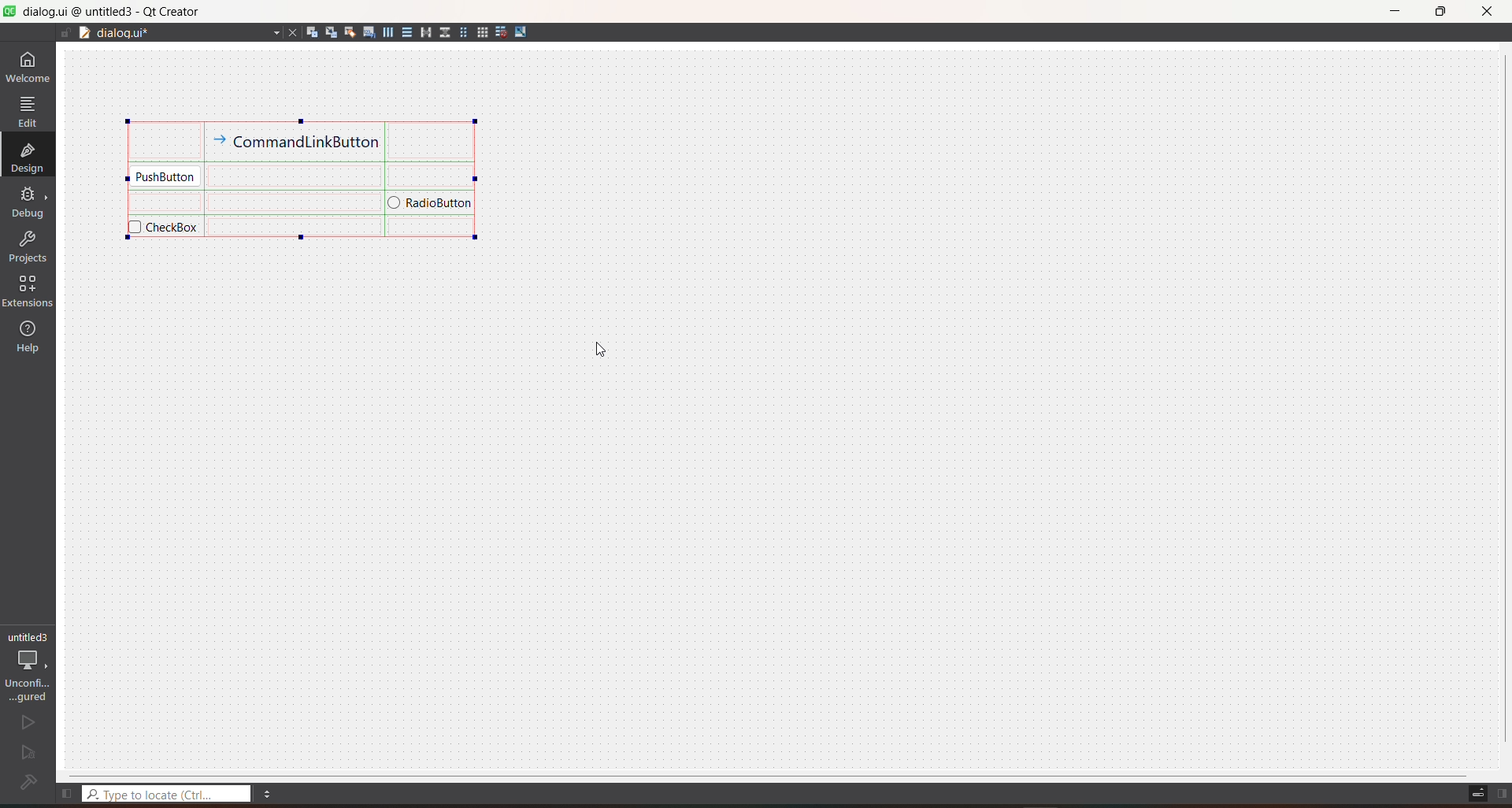 This screenshot has width=1512, height=808. I want to click on maximize, so click(1441, 15).